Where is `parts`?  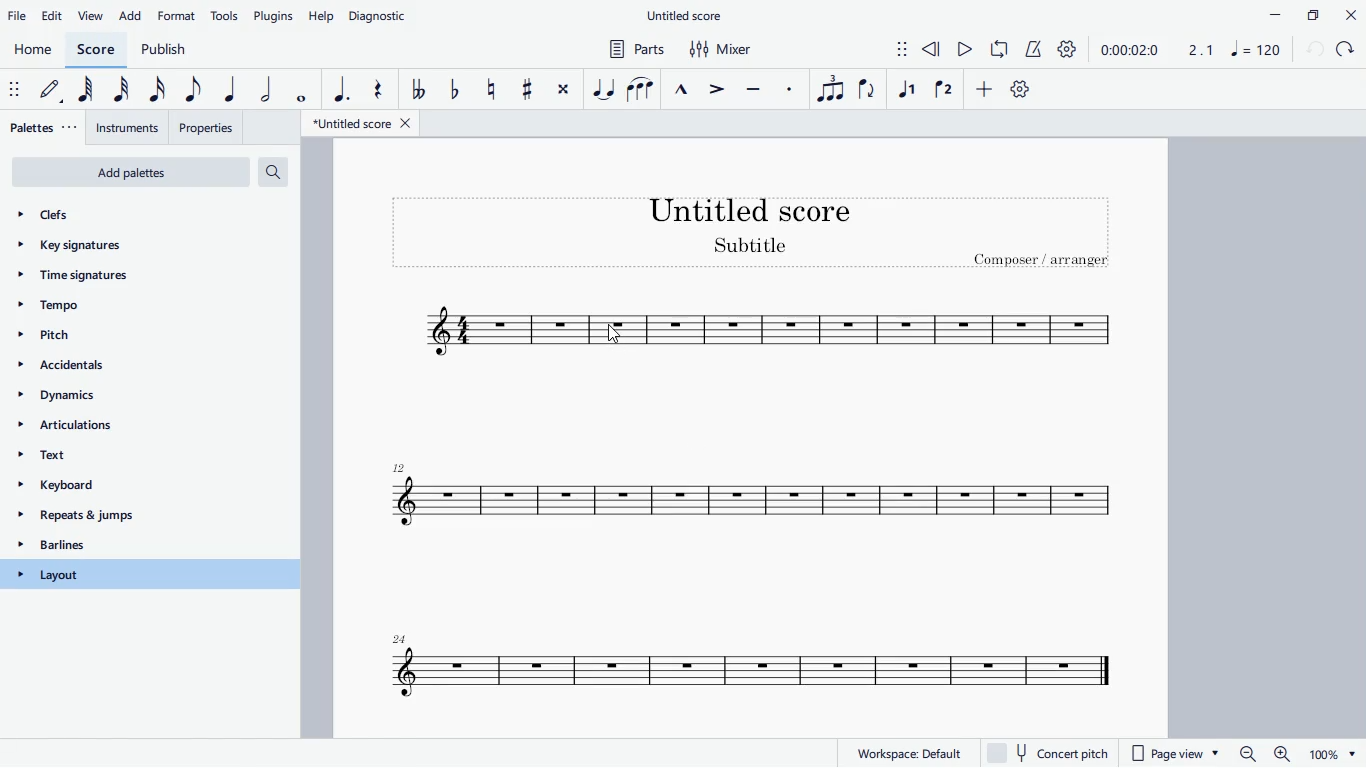
parts is located at coordinates (633, 51).